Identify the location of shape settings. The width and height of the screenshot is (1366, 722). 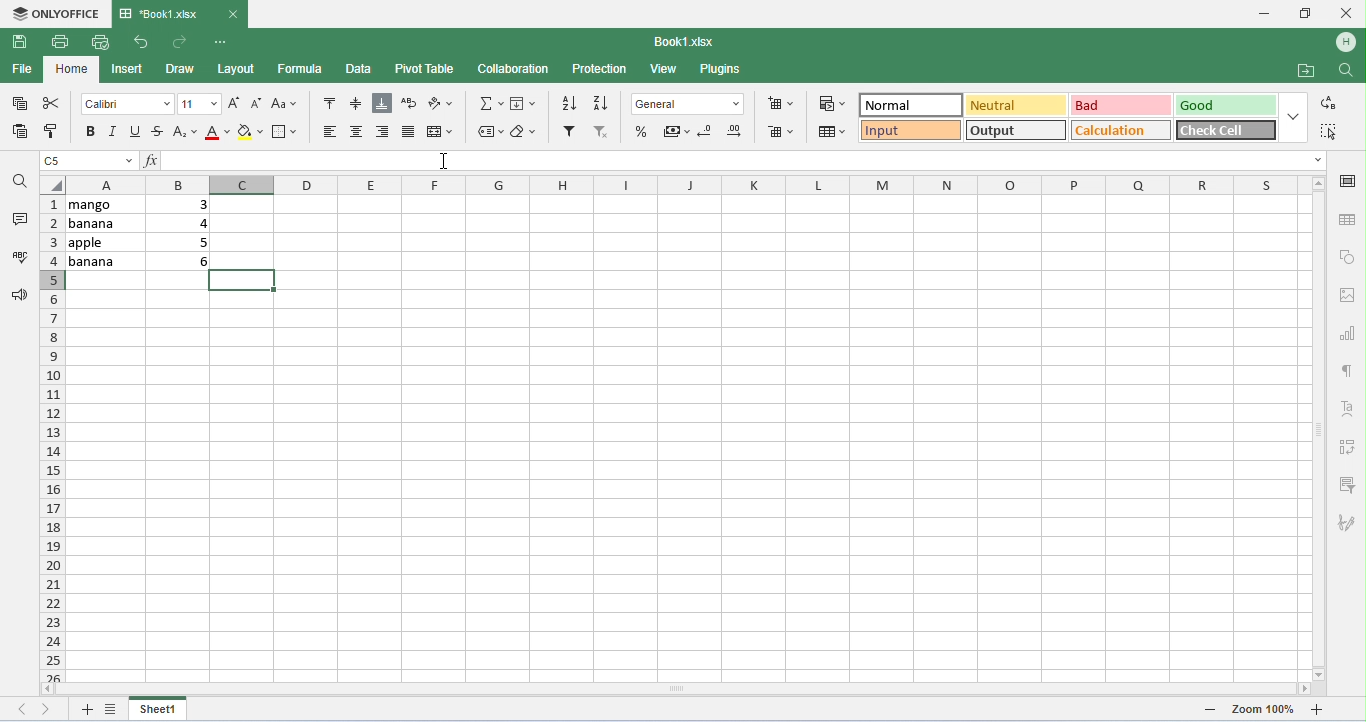
(1349, 258).